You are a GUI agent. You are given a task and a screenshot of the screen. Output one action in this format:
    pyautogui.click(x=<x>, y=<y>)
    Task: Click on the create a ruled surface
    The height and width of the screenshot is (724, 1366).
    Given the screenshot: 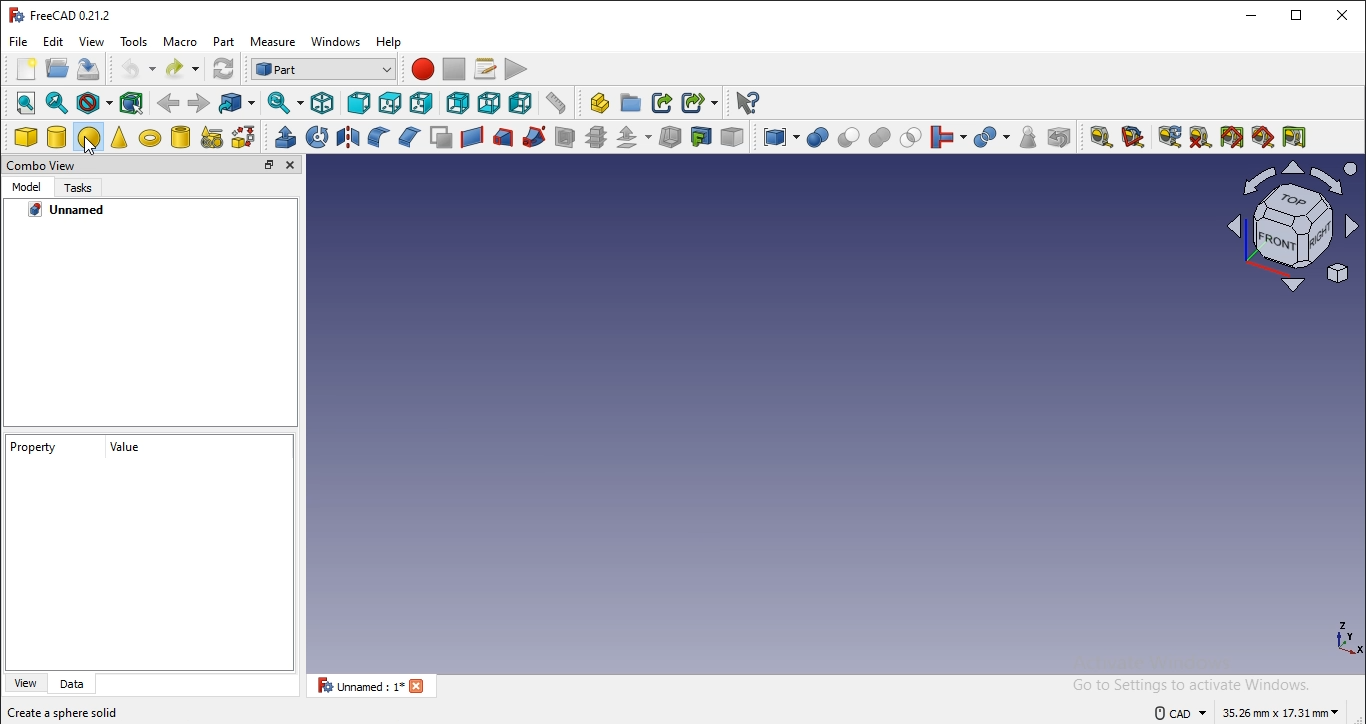 What is the action you would take?
    pyautogui.click(x=474, y=137)
    